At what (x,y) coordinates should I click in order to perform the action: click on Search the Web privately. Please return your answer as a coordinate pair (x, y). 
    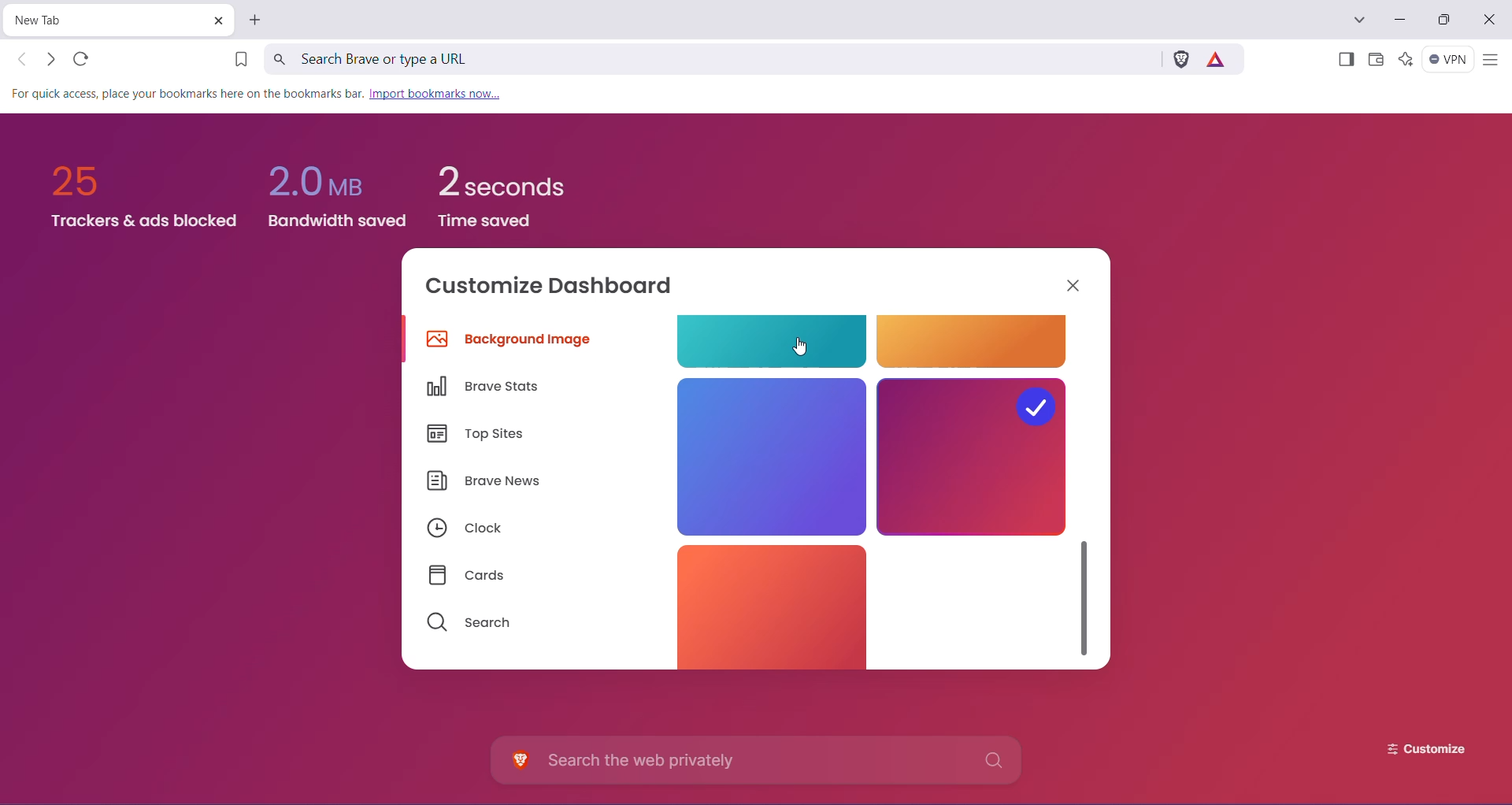
    Looking at the image, I should click on (760, 760).